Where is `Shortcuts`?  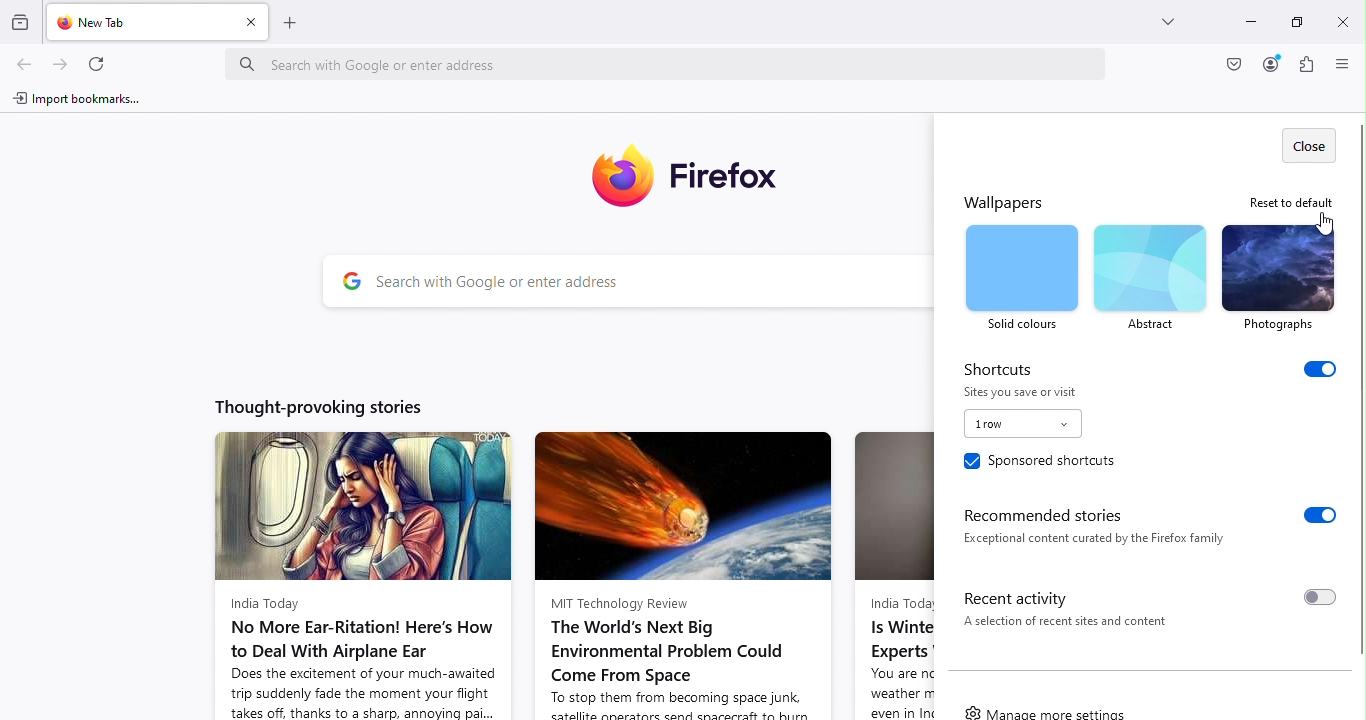 Shortcuts is located at coordinates (1151, 367).